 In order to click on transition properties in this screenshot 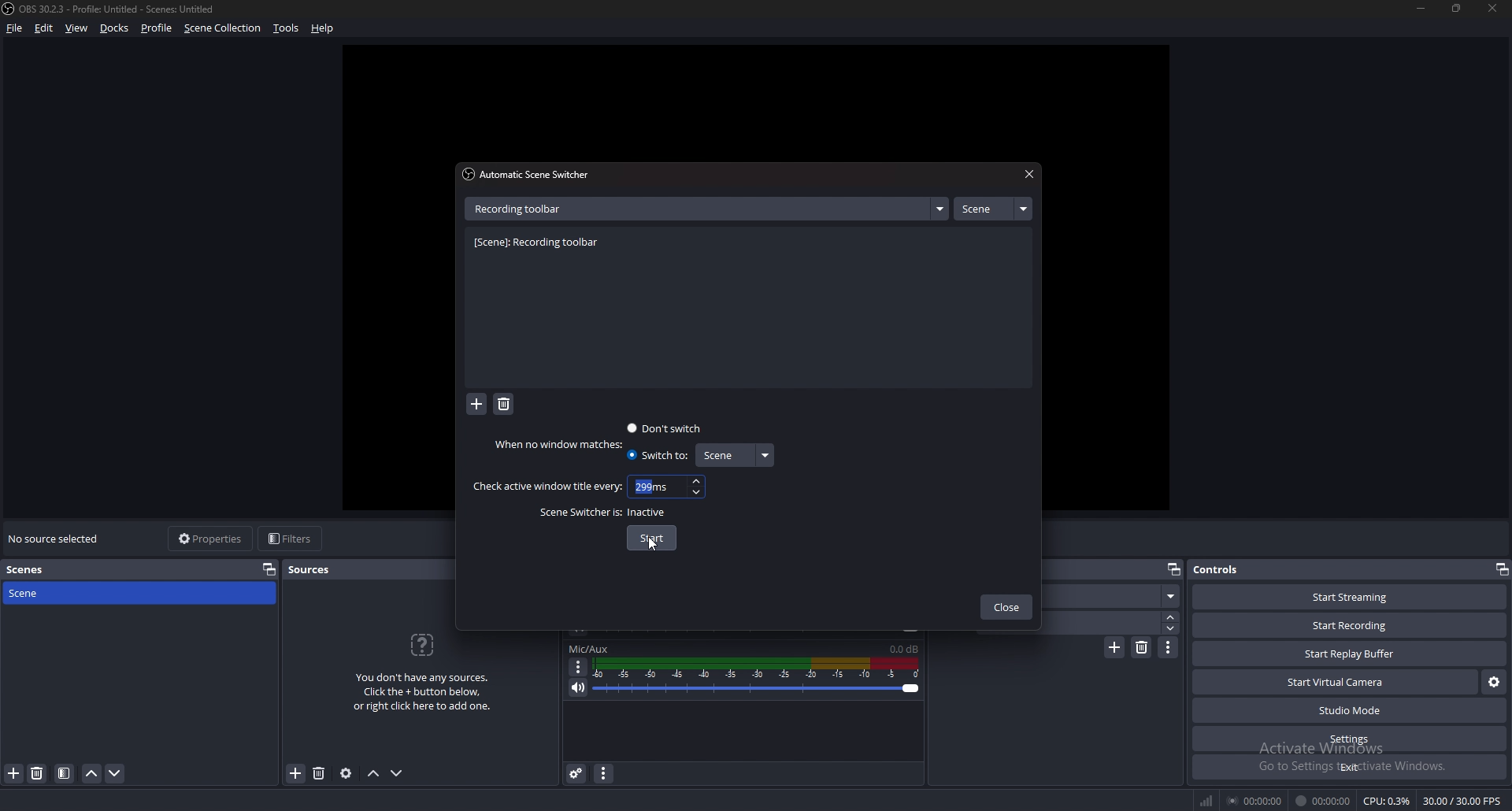, I will do `click(1169, 647)`.